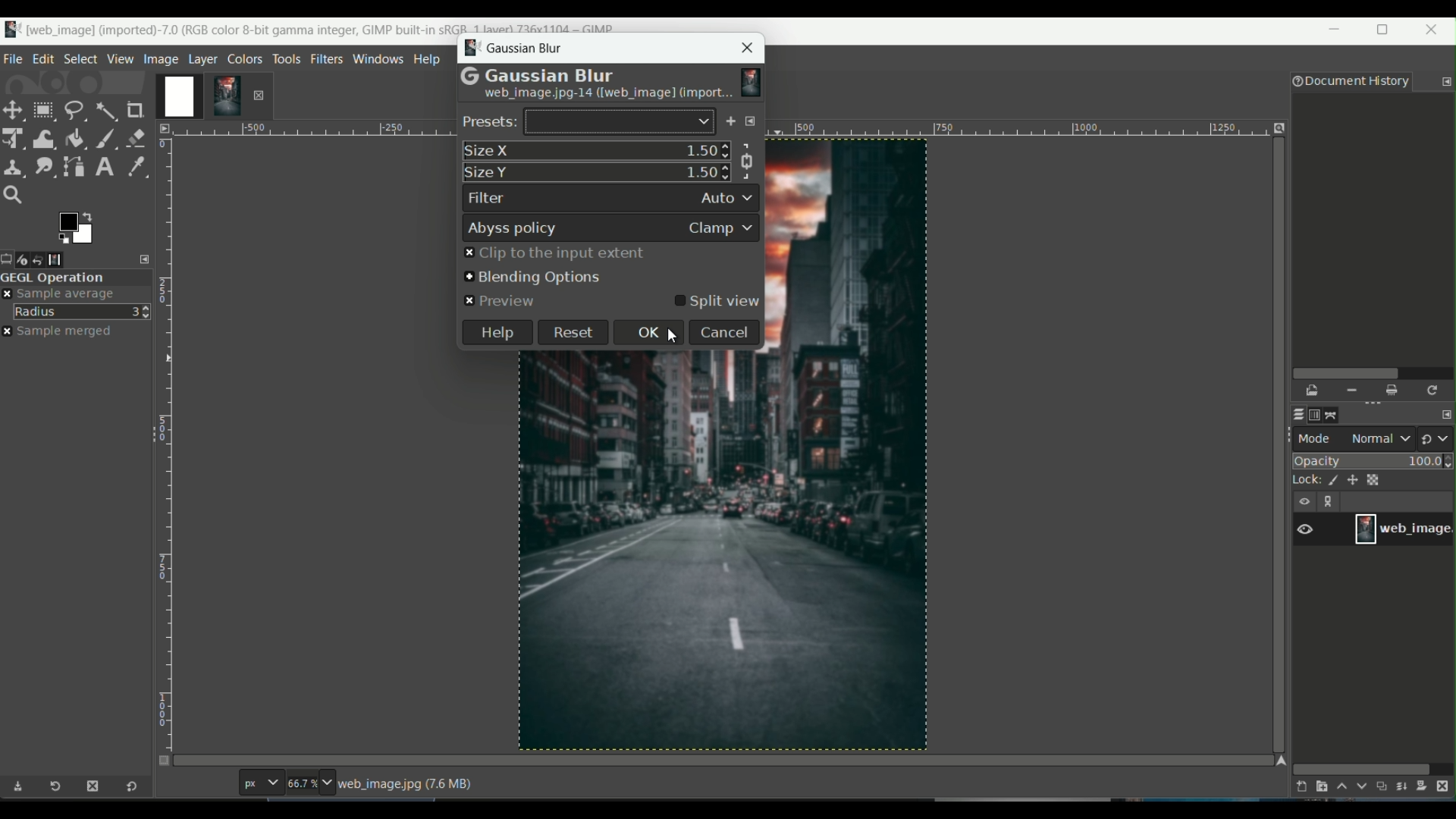 The height and width of the screenshot is (819, 1456). I want to click on undo, so click(47, 259).